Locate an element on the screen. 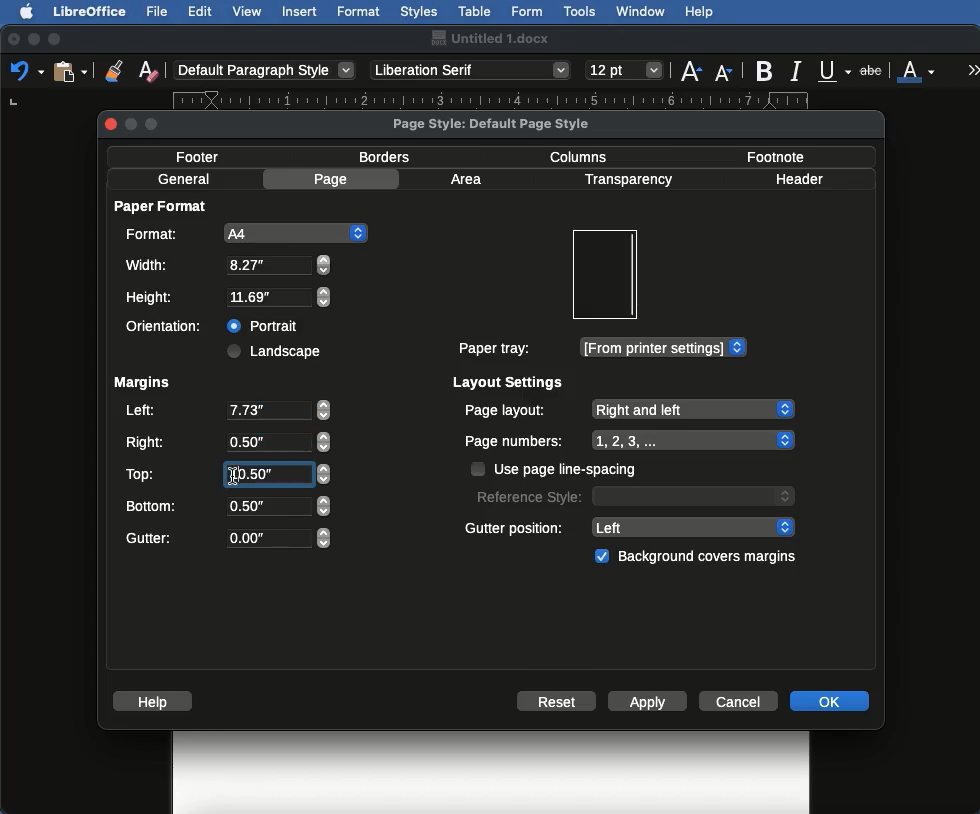 The image size is (980, 814). Form is located at coordinates (527, 12).